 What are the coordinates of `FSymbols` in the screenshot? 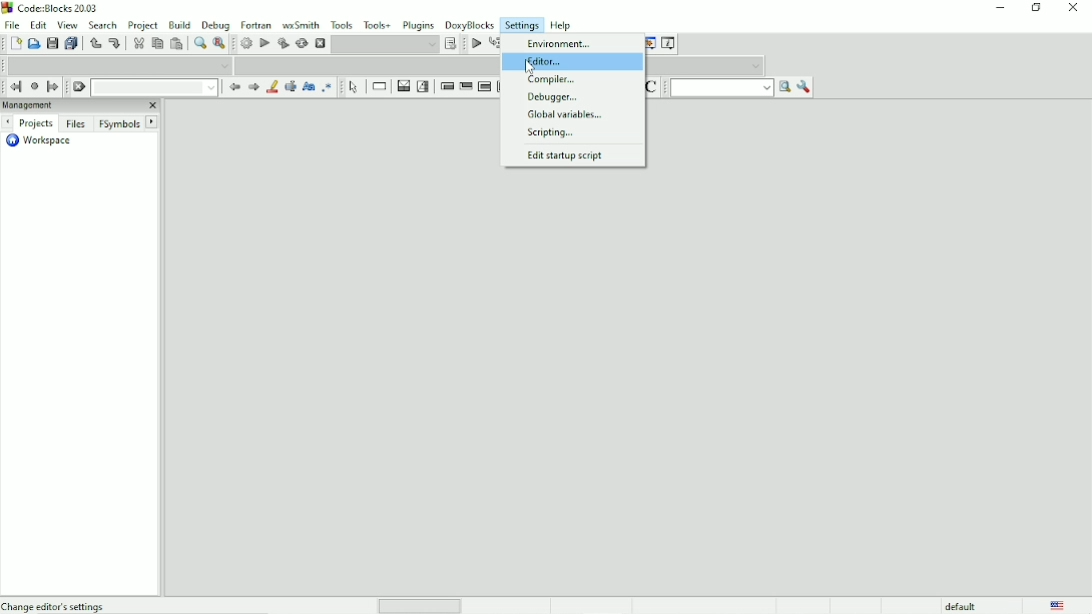 It's located at (119, 124).